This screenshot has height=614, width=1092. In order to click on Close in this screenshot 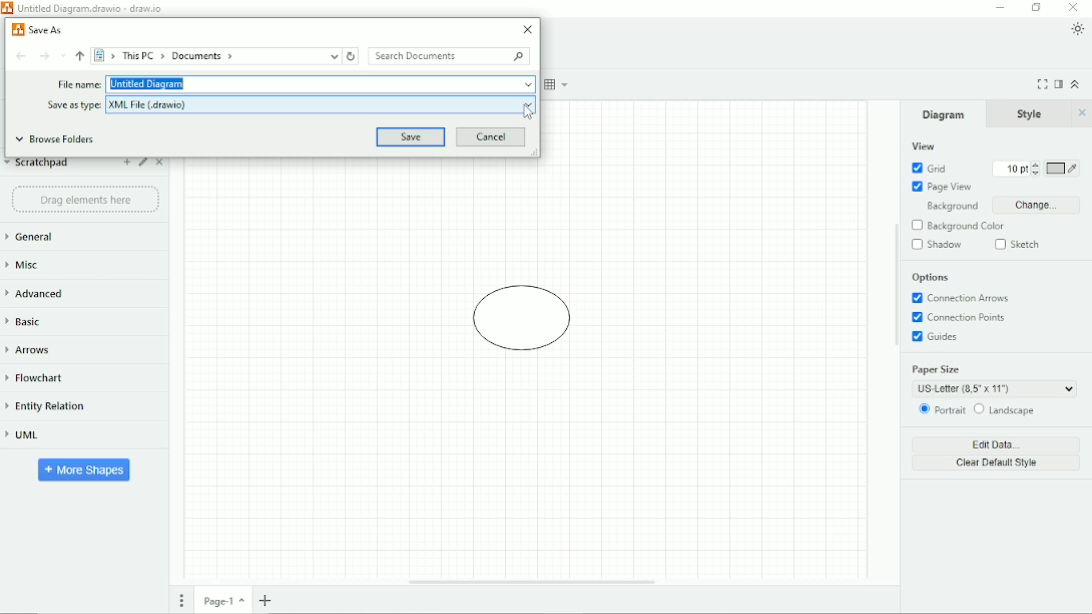, I will do `click(1074, 7)`.